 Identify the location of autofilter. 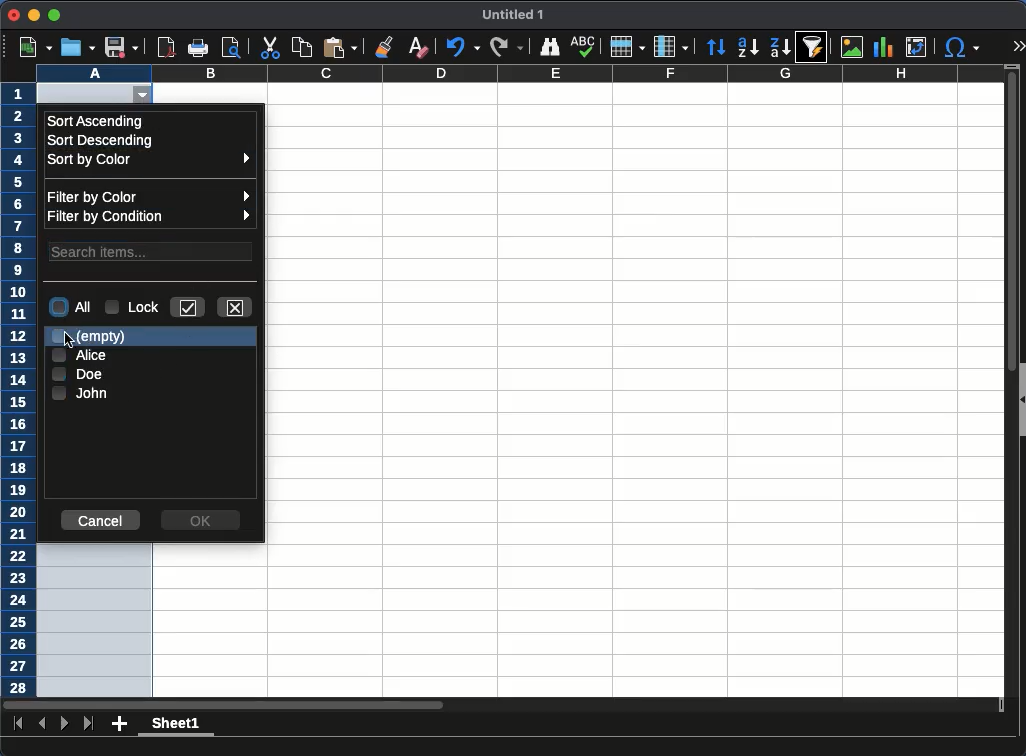
(813, 46).